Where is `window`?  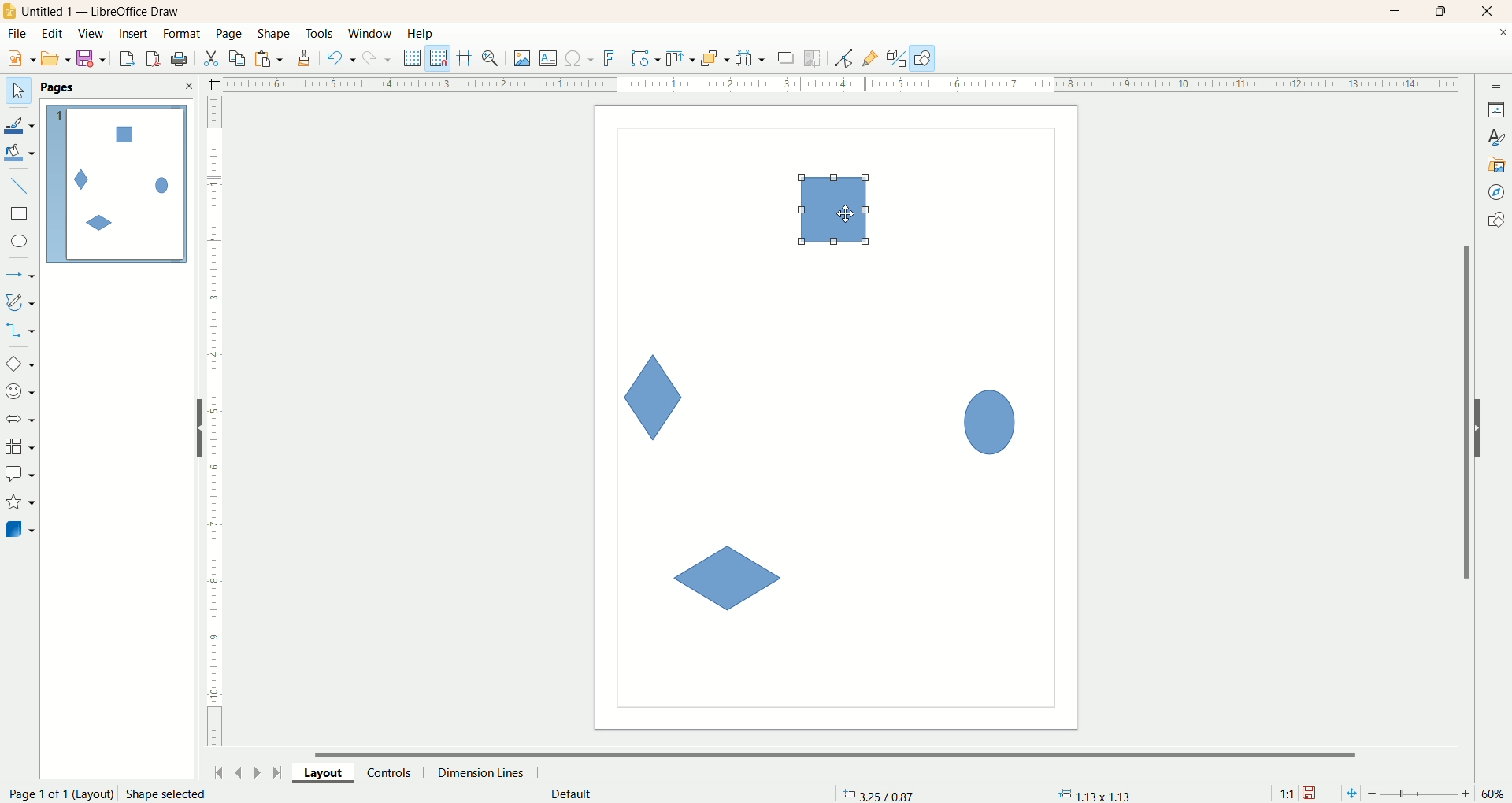 window is located at coordinates (374, 35).